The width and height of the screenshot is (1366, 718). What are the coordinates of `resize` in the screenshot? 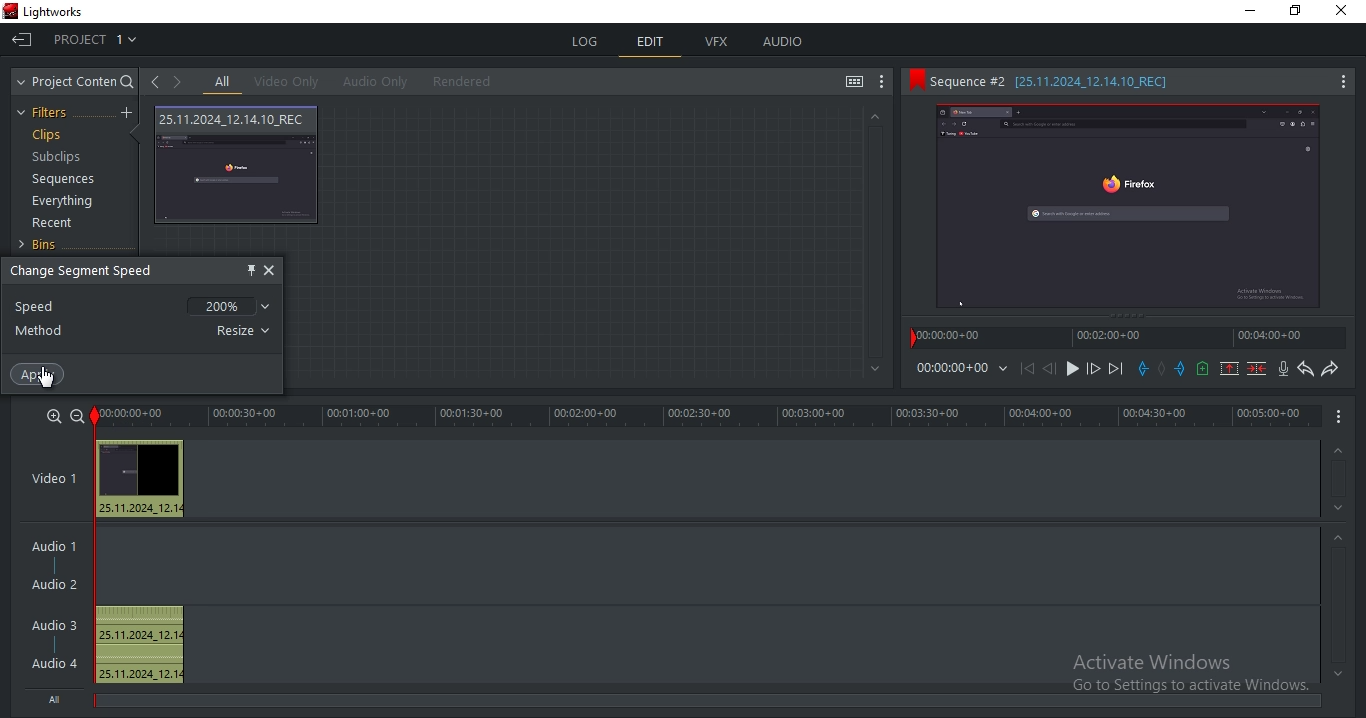 It's located at (246, 330).